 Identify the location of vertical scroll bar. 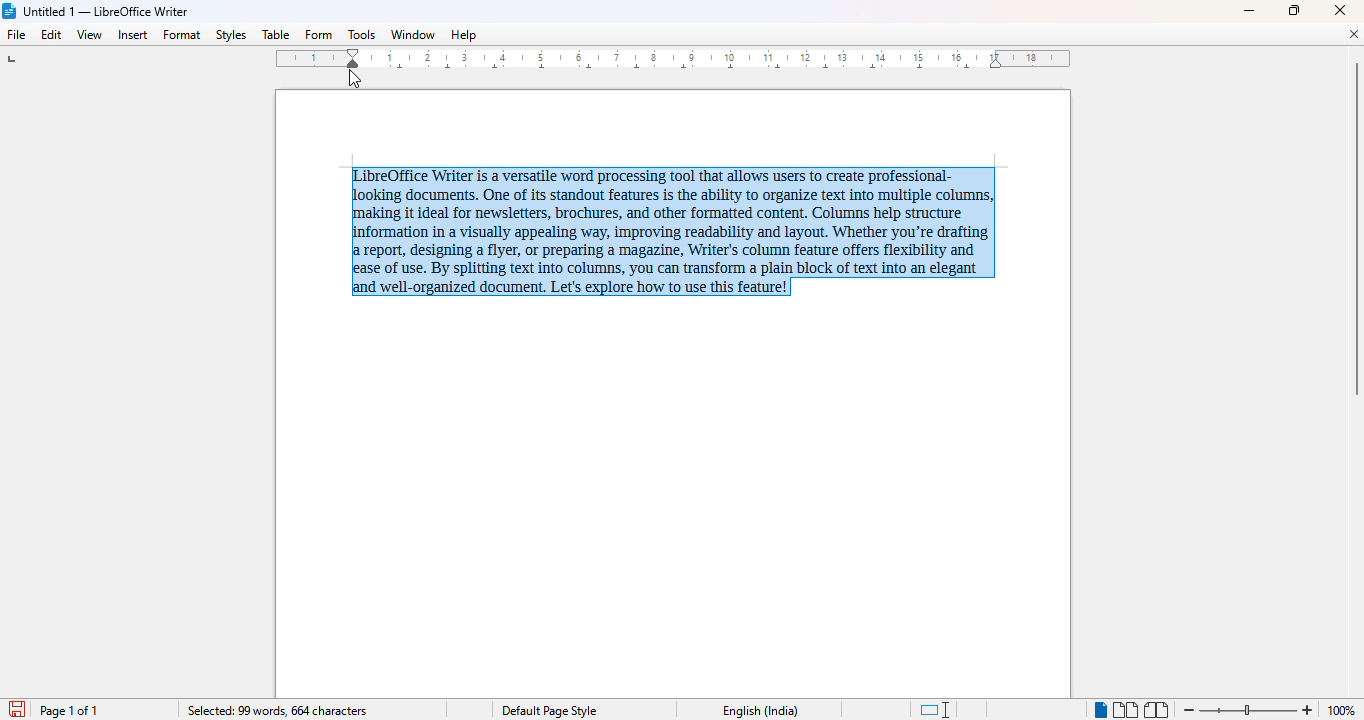
(1355, 229).